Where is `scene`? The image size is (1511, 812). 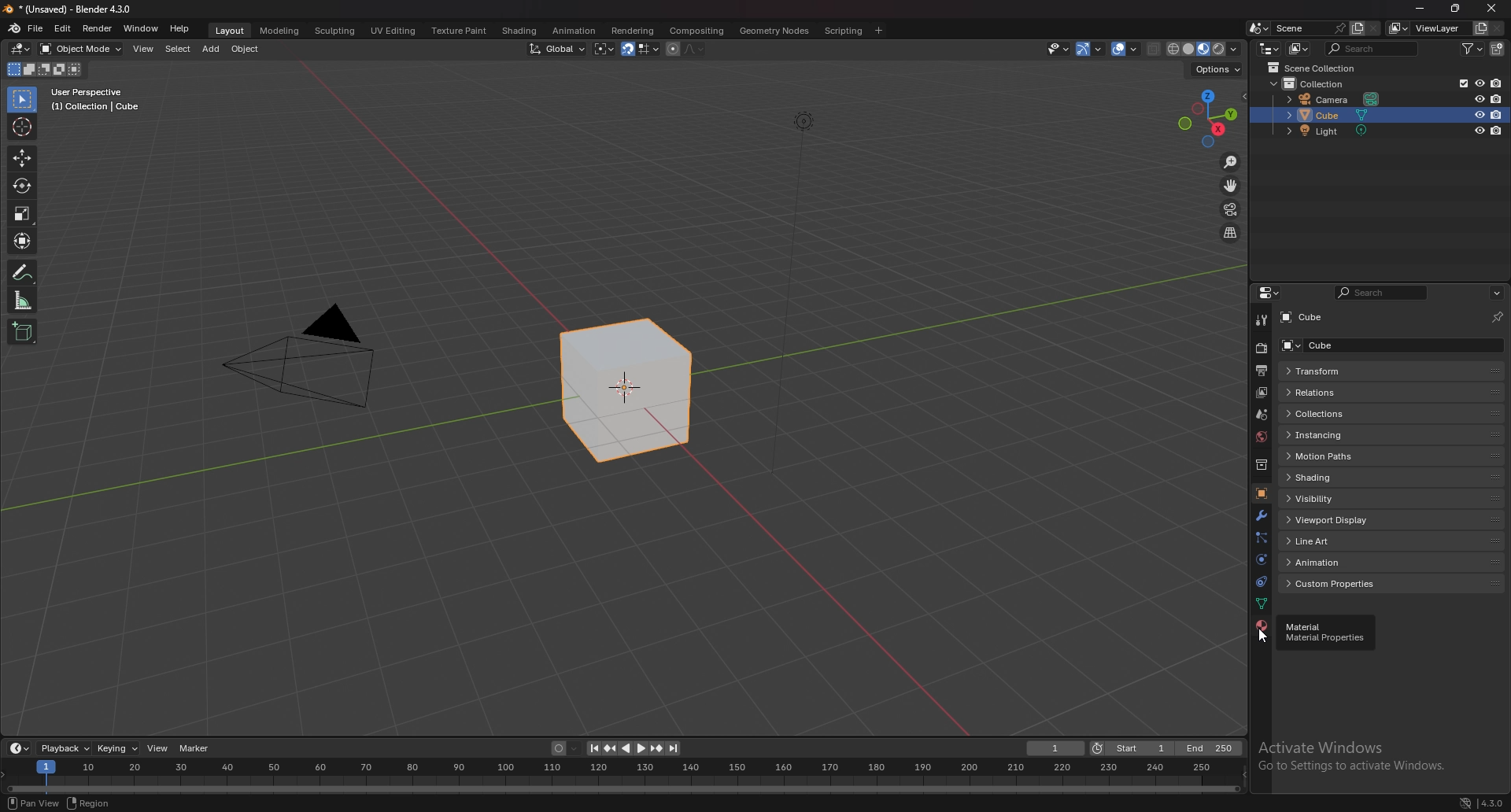
scene is located at coordinates (1307, 28).